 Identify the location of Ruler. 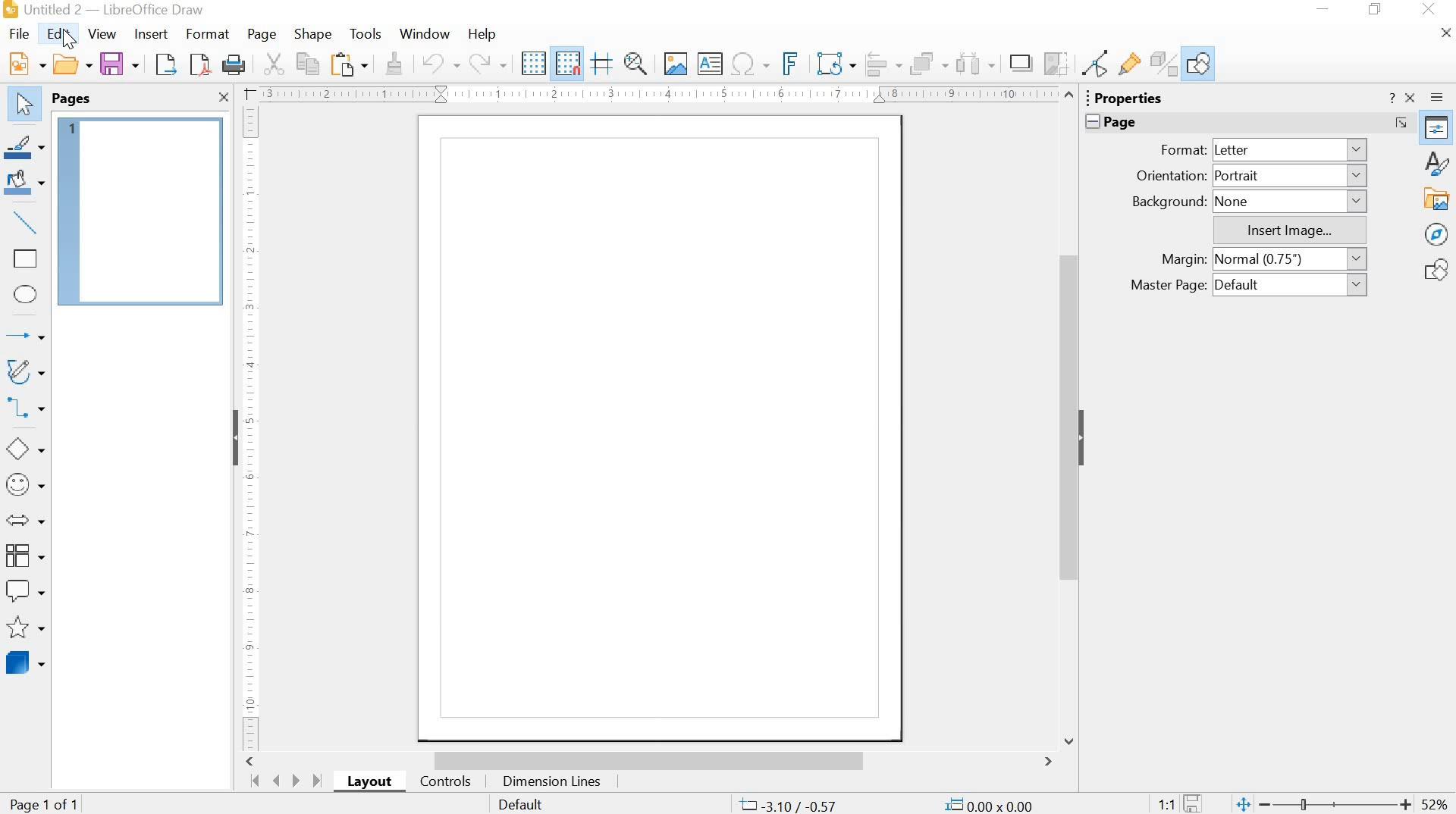
(253, 426).